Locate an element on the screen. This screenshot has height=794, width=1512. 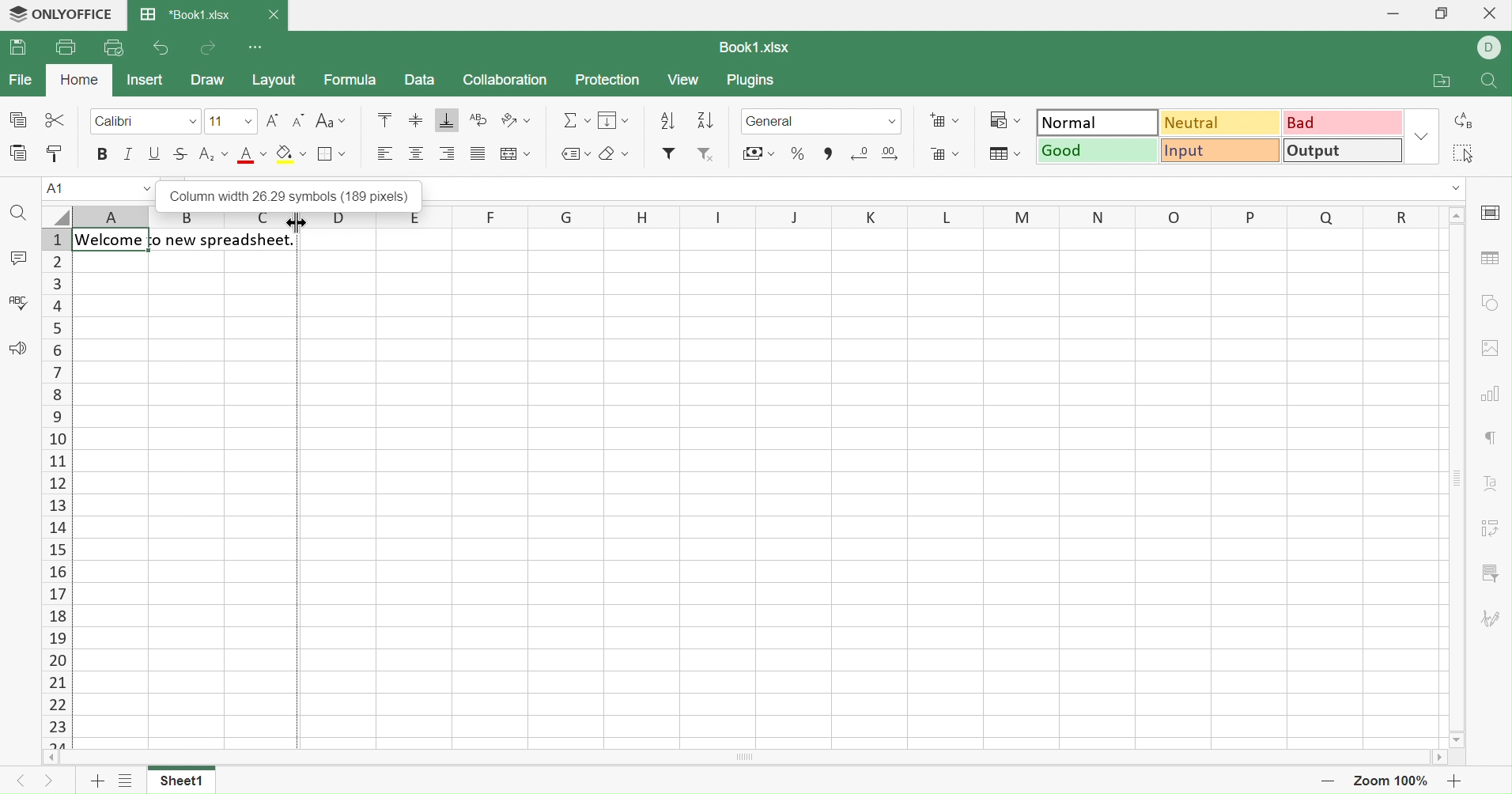
Customize Quick Access Toolbar is located at coordinates (257, 49).